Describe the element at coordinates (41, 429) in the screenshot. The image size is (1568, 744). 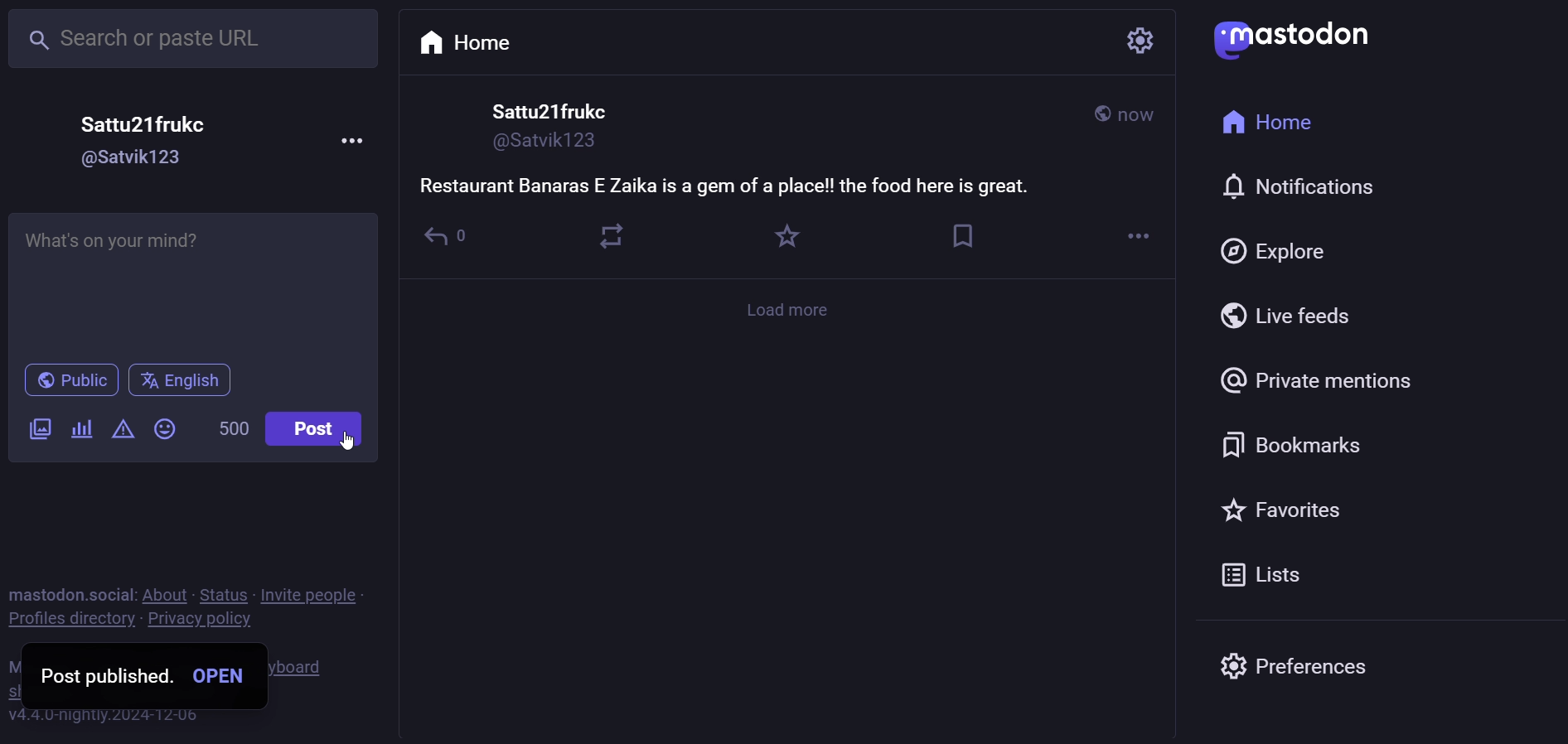
I see `images/video` at that location.